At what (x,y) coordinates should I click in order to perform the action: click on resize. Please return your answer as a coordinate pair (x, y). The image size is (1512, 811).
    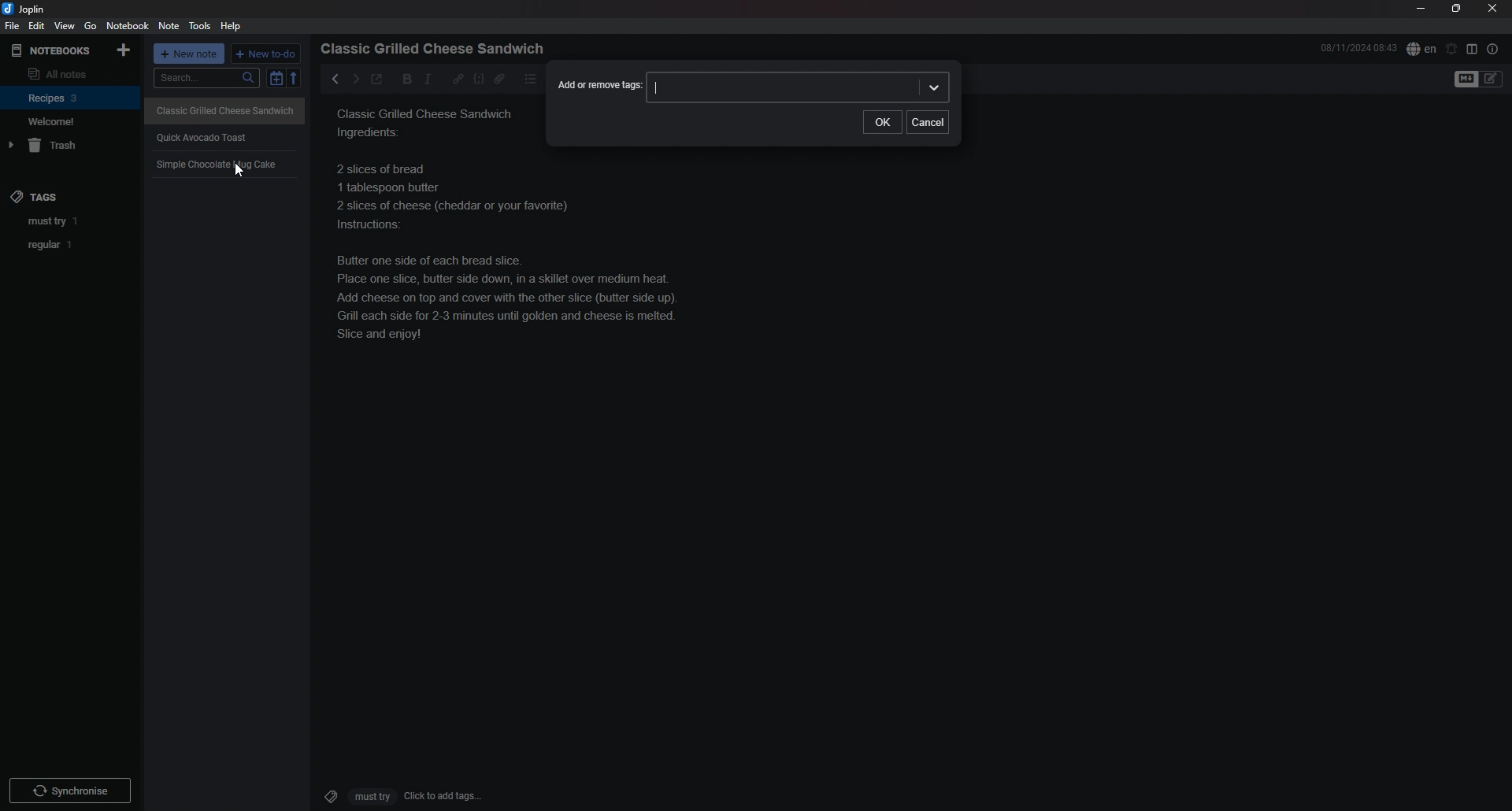
    Looking at the image, I should click on (1456, 9).